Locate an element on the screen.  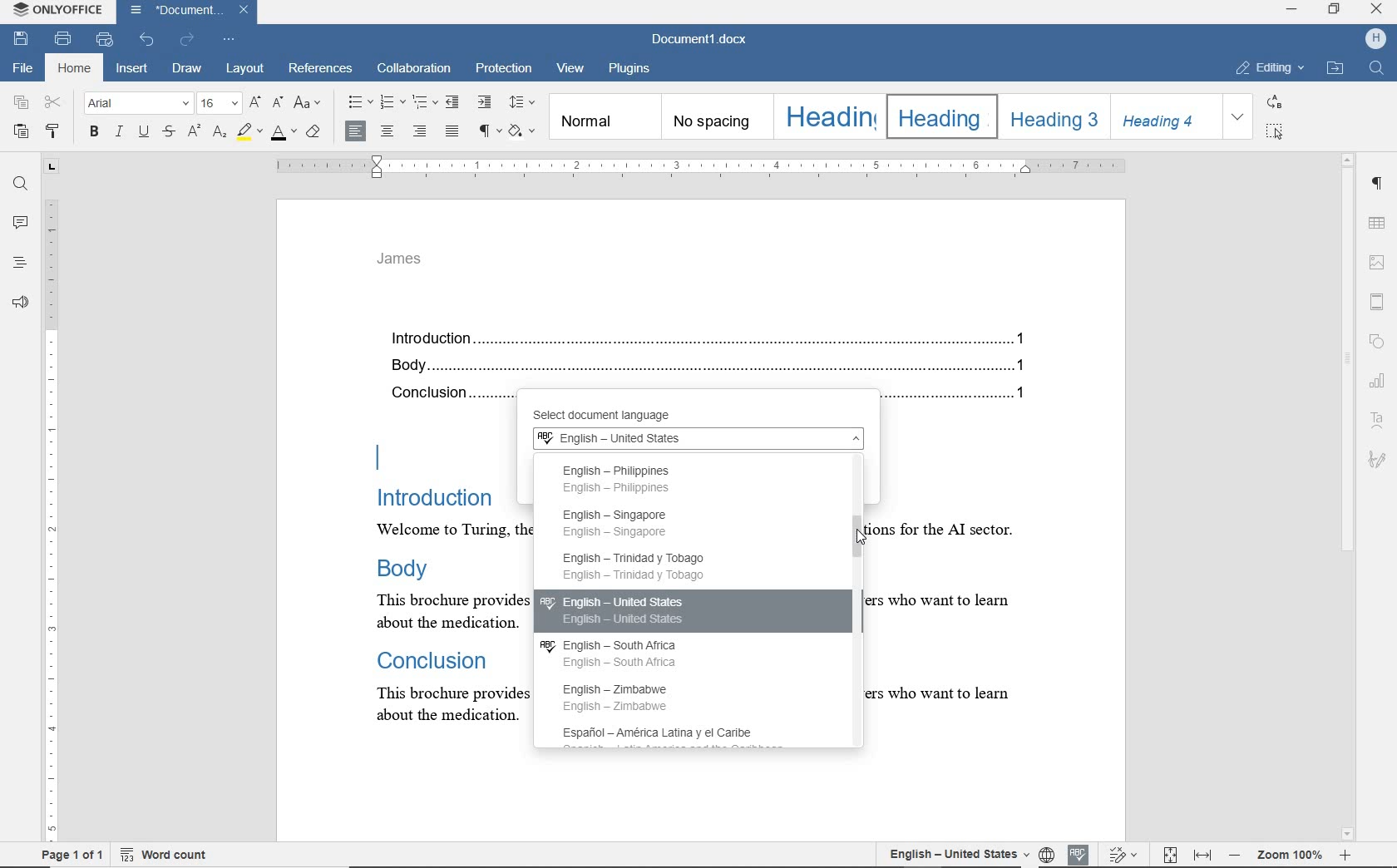
Body...........................................................................................................................................1 is located at coordinates (714, 367).